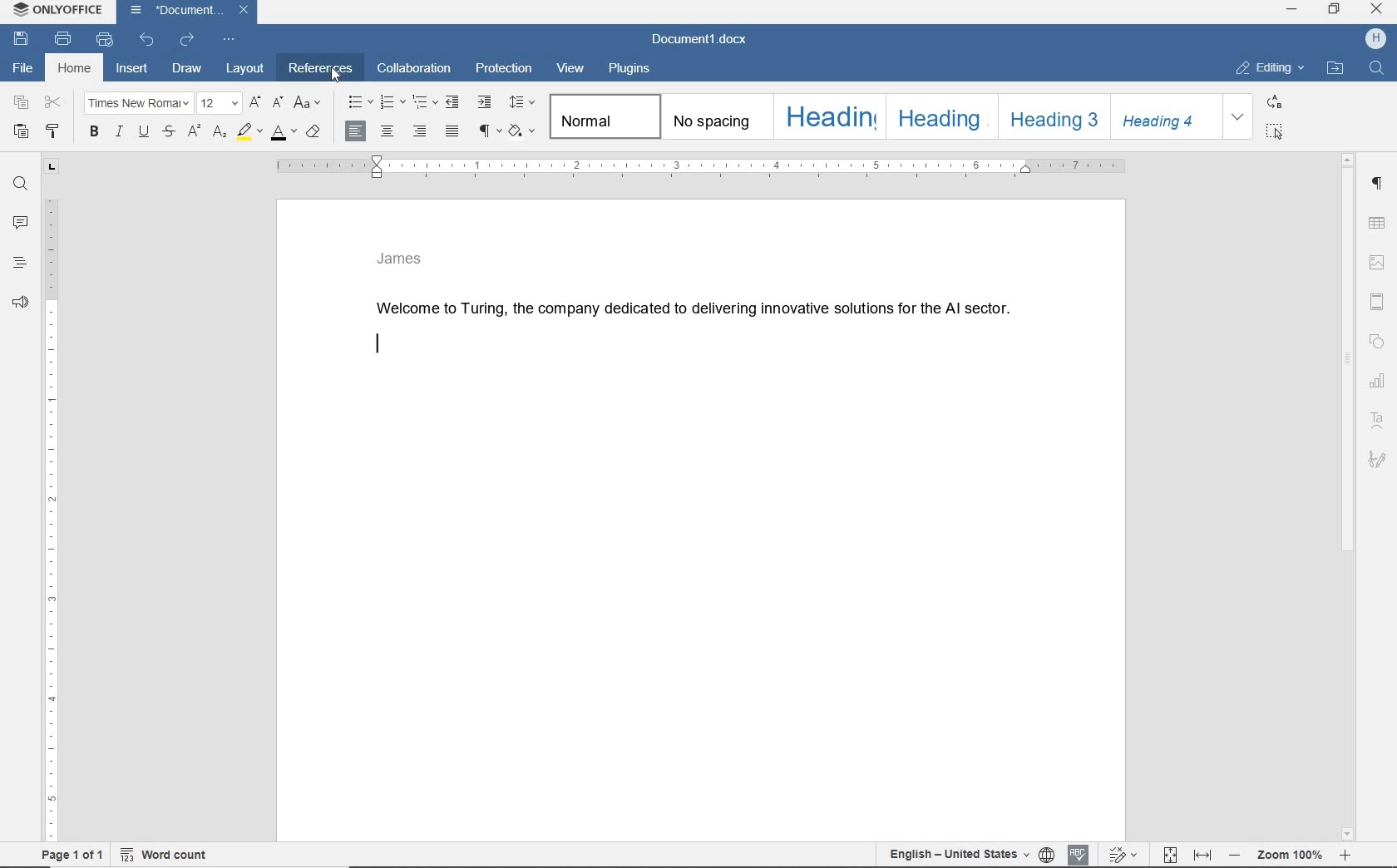 Image resolution: width=1397 pixels, height=868 pixels. Describe the element at coordinates (21, 131) in the screenshot. I see `paste` at that location.